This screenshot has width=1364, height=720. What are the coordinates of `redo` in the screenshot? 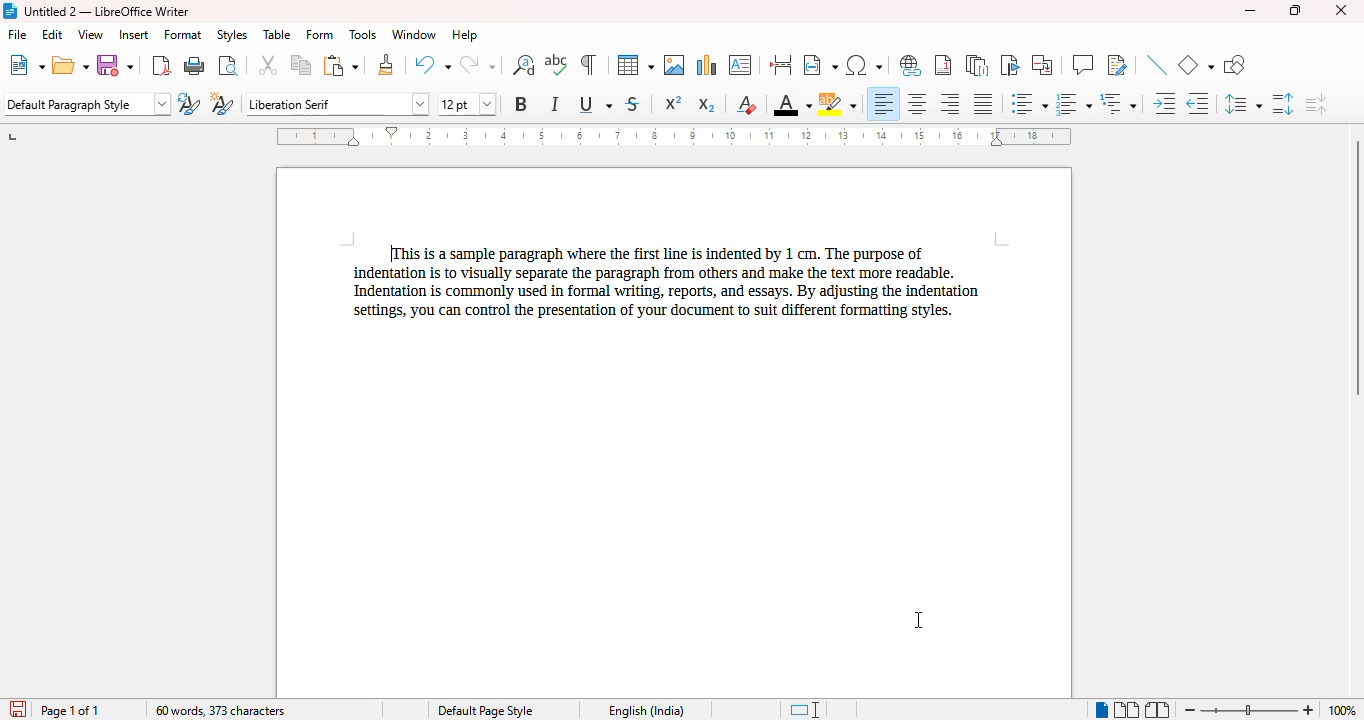 It's located at (477, 64).